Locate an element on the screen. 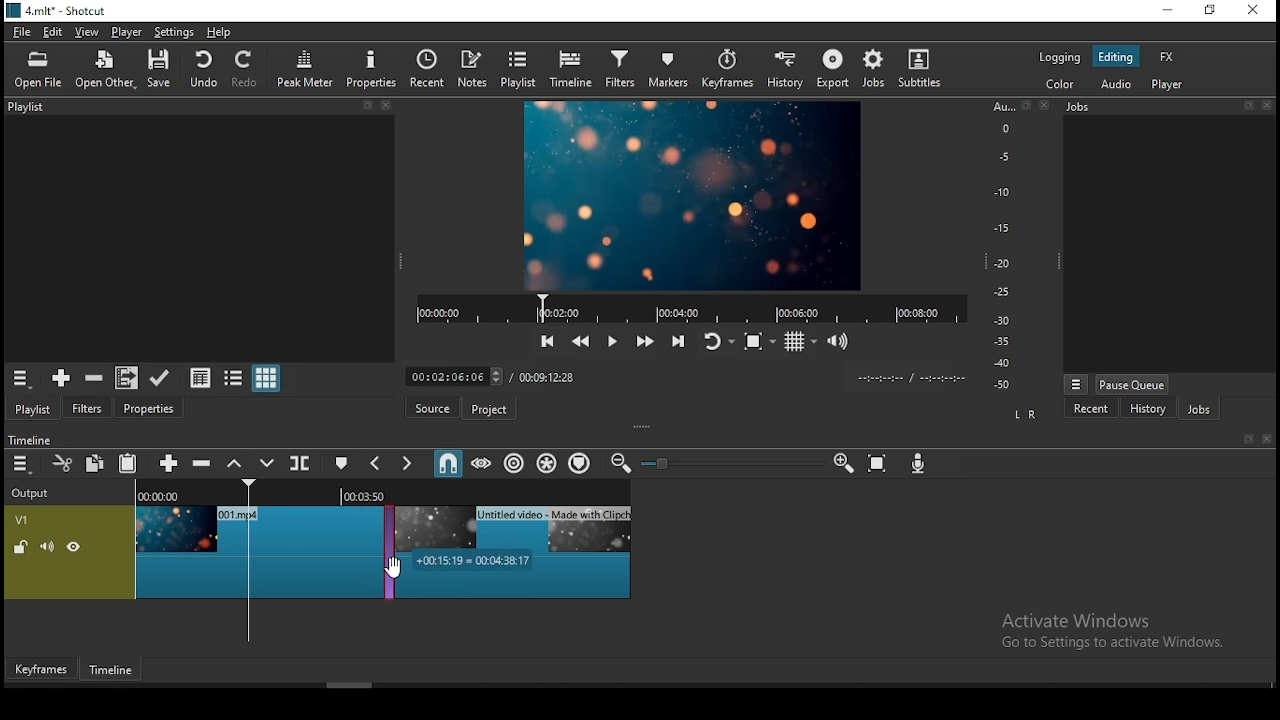 This screenshot has width=1280, height=720. toggle zoom is located at coordinates (758, 342).